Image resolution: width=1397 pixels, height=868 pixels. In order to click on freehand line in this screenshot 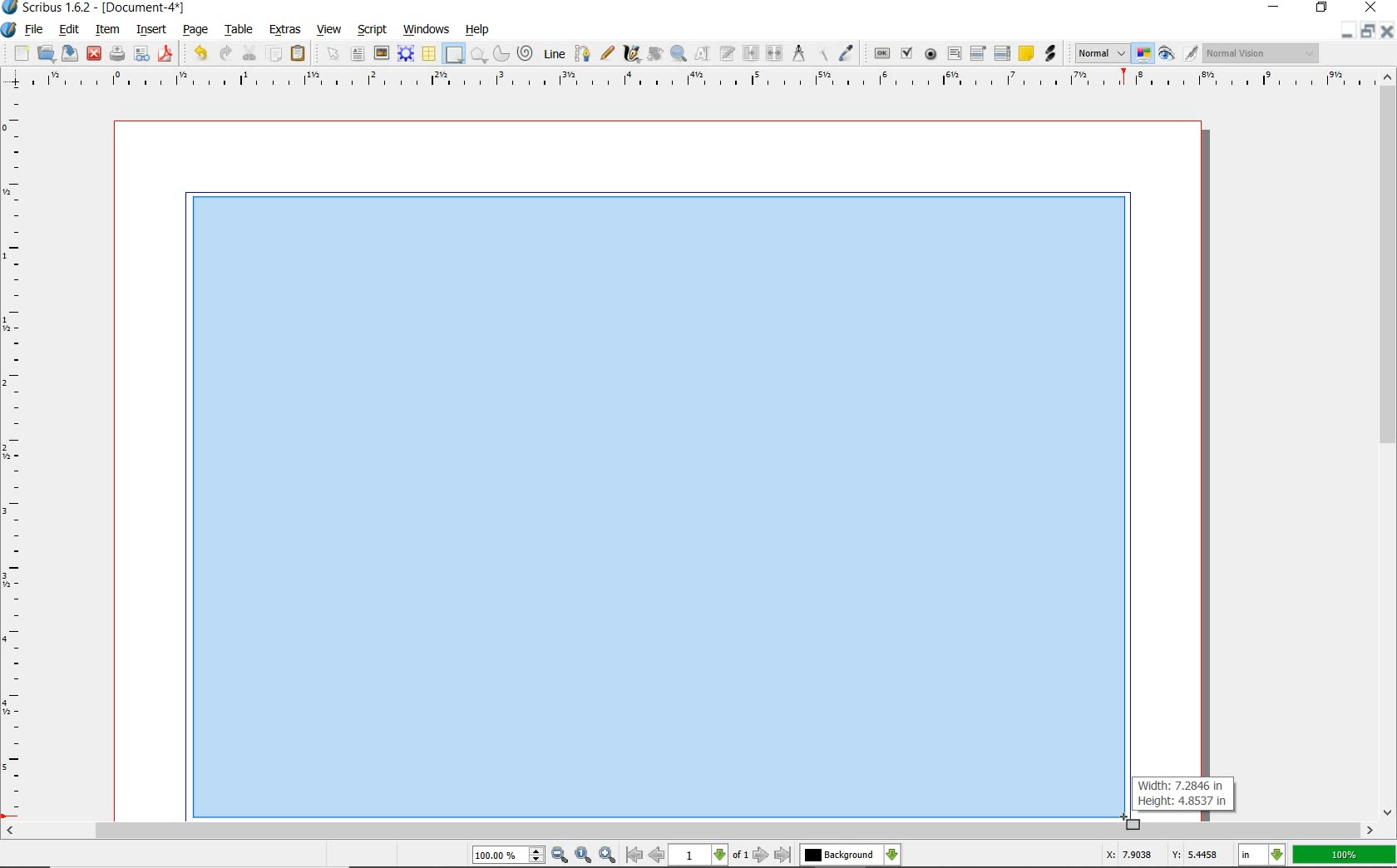, I will do `click(609, 54)`.